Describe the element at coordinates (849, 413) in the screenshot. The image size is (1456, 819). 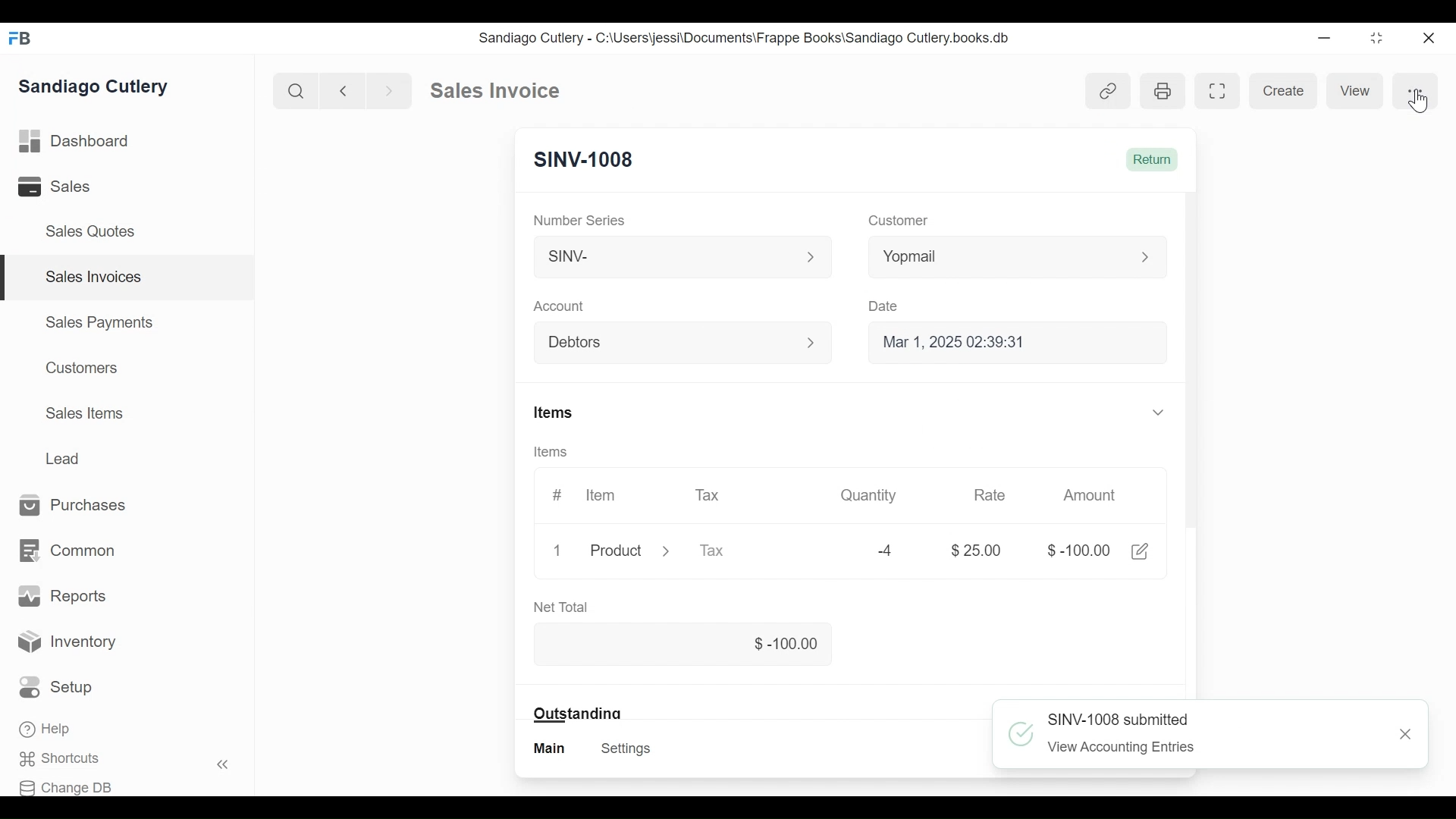
I see `Items` at that location.